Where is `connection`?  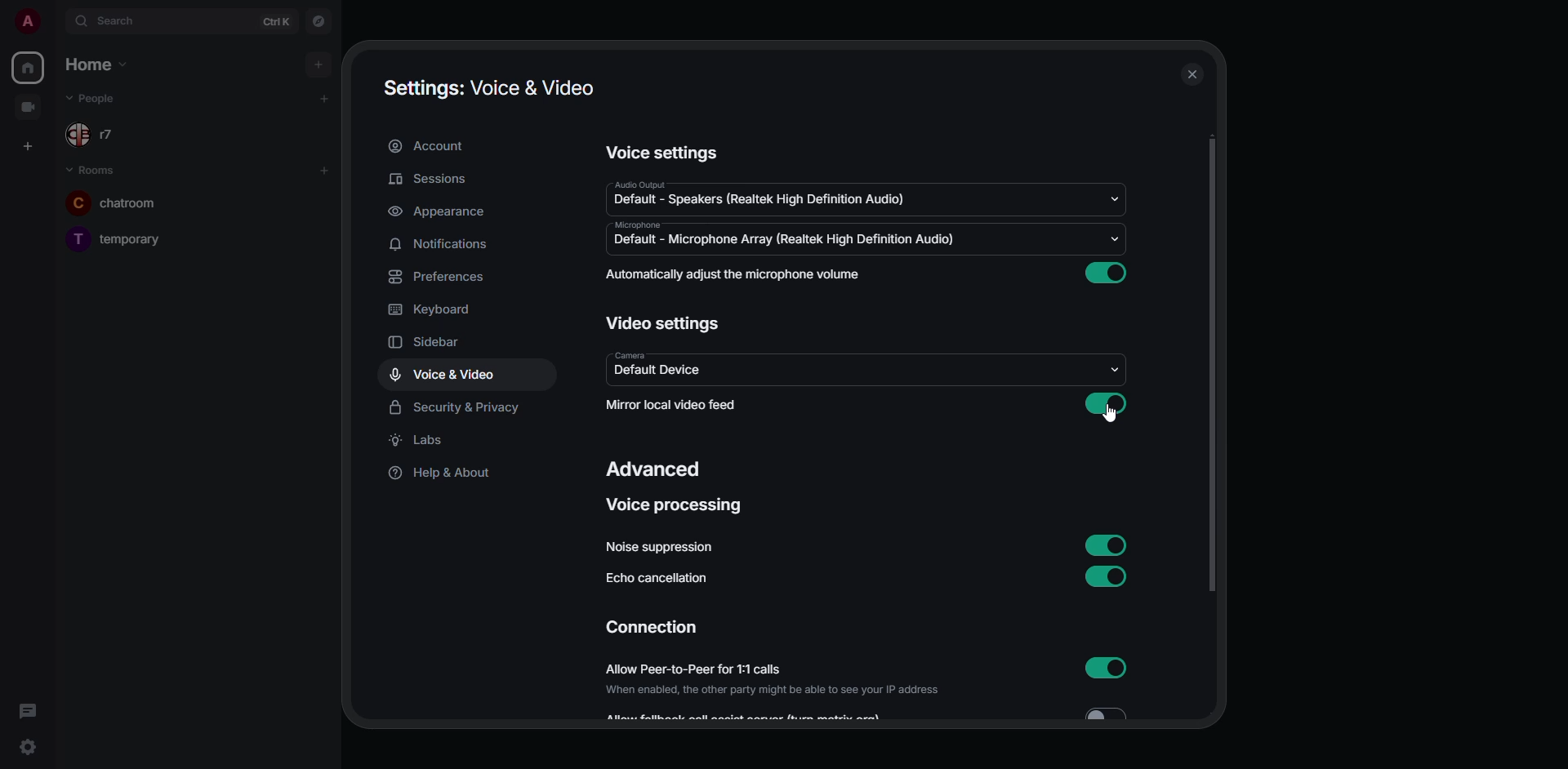
connection is located at coordinates (657, 628).